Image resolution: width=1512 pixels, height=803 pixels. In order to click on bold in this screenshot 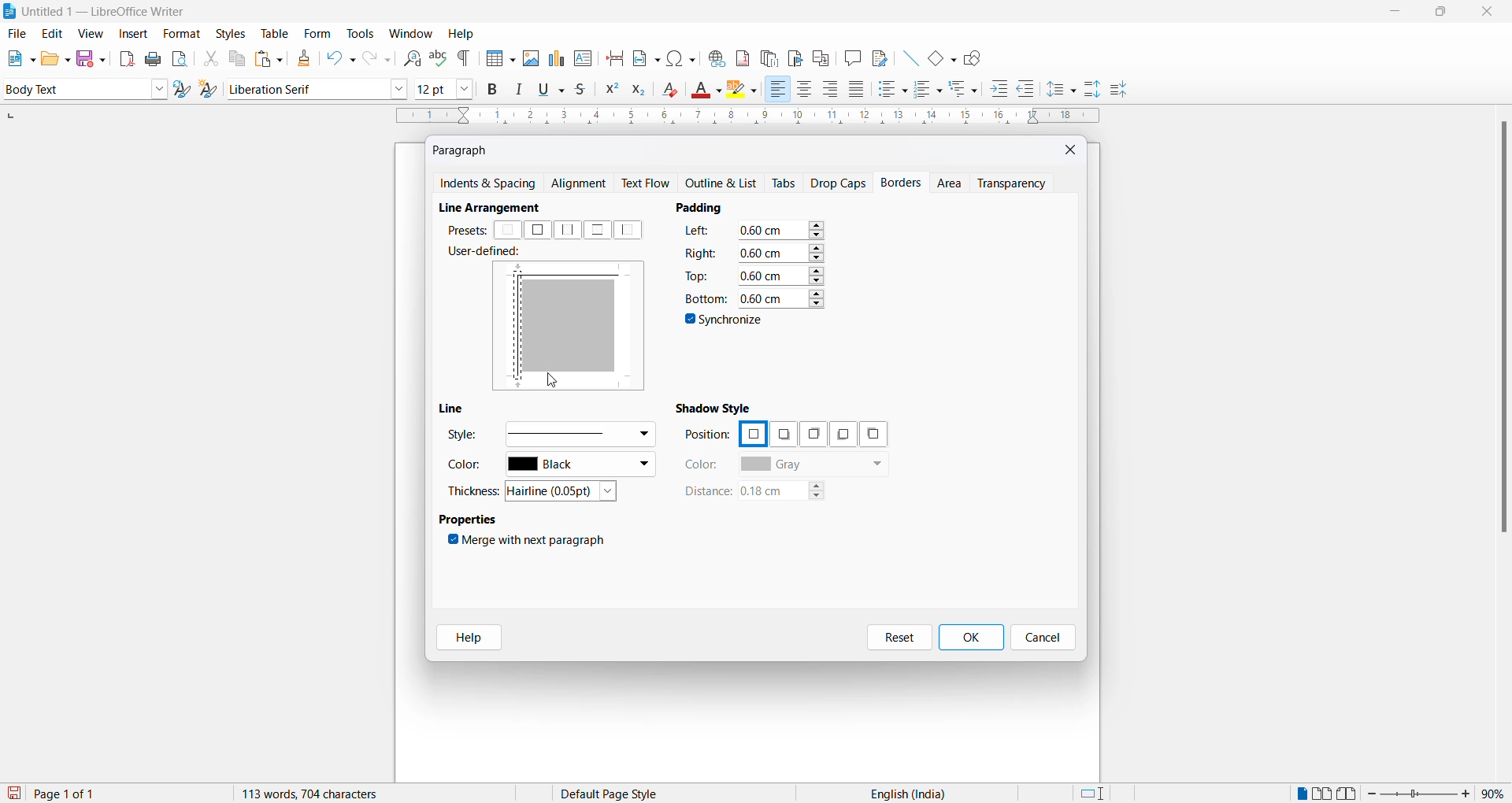, I will do `click(493, 90)`.